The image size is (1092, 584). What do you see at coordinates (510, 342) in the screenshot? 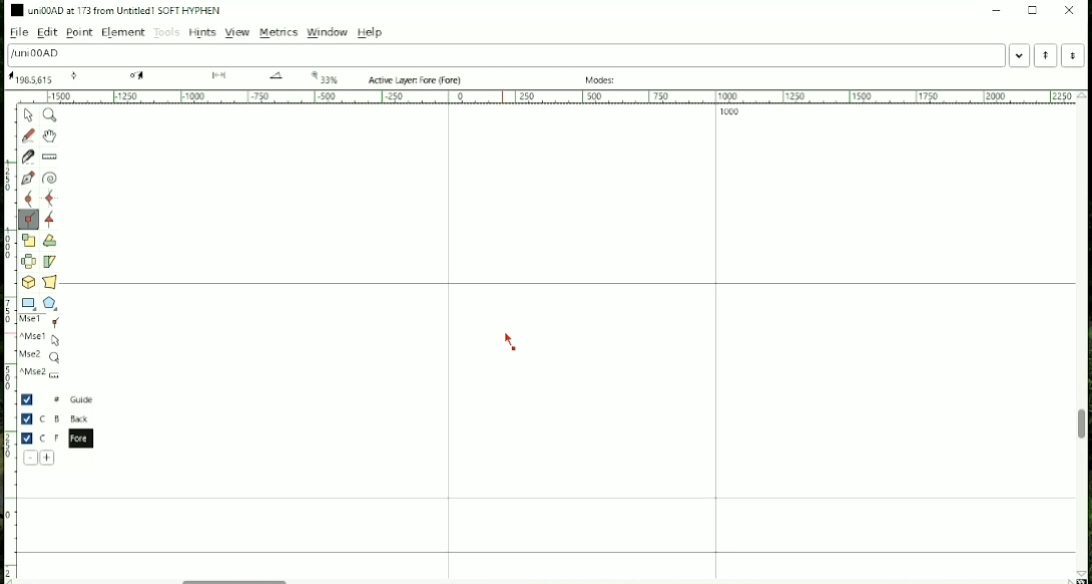
I see `Cursor` at bounding box center [510, 342].